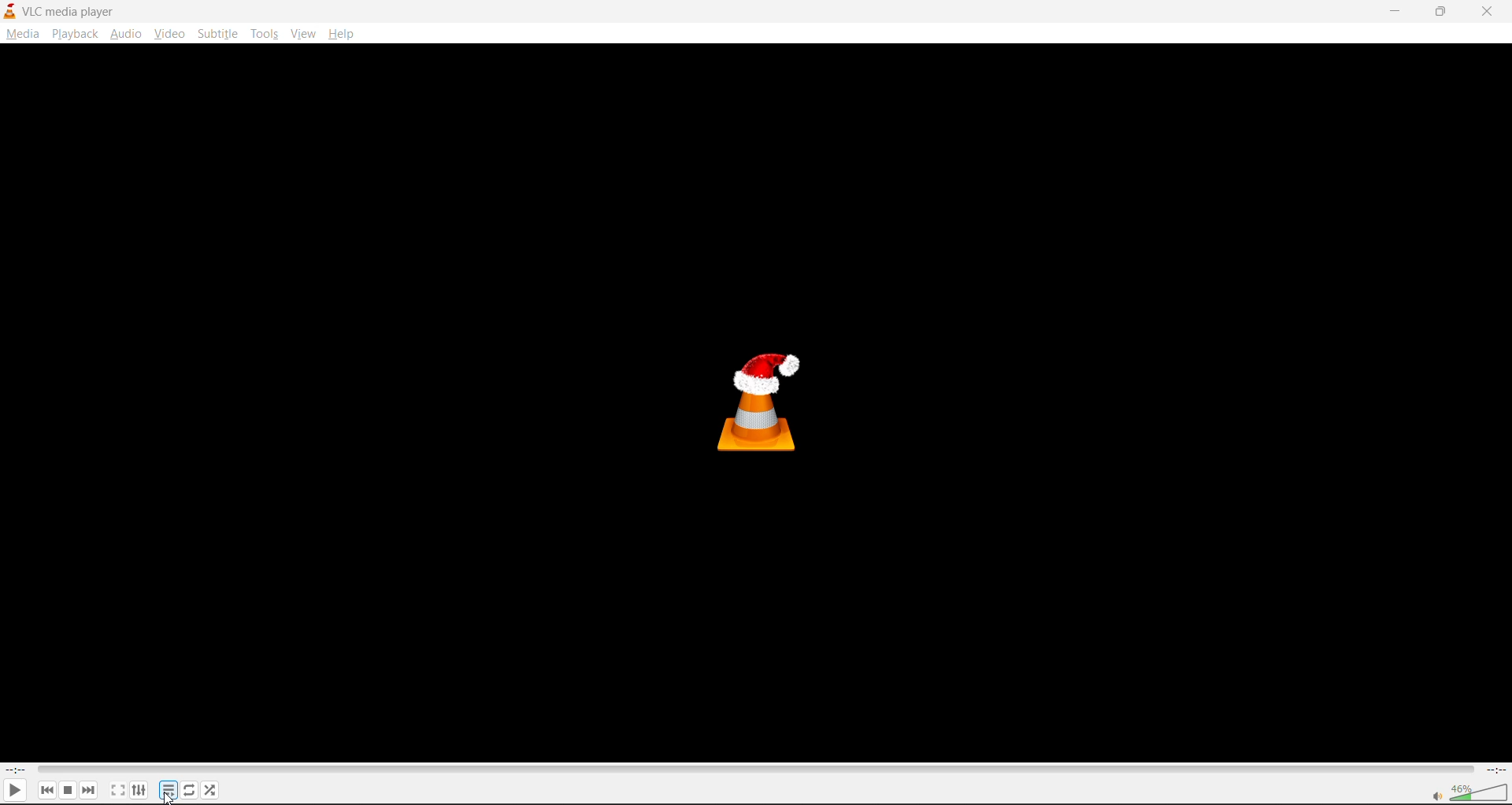 The height and width of the screenshot is (805, 1512). I want to click on track and app name, so click(61, 10).